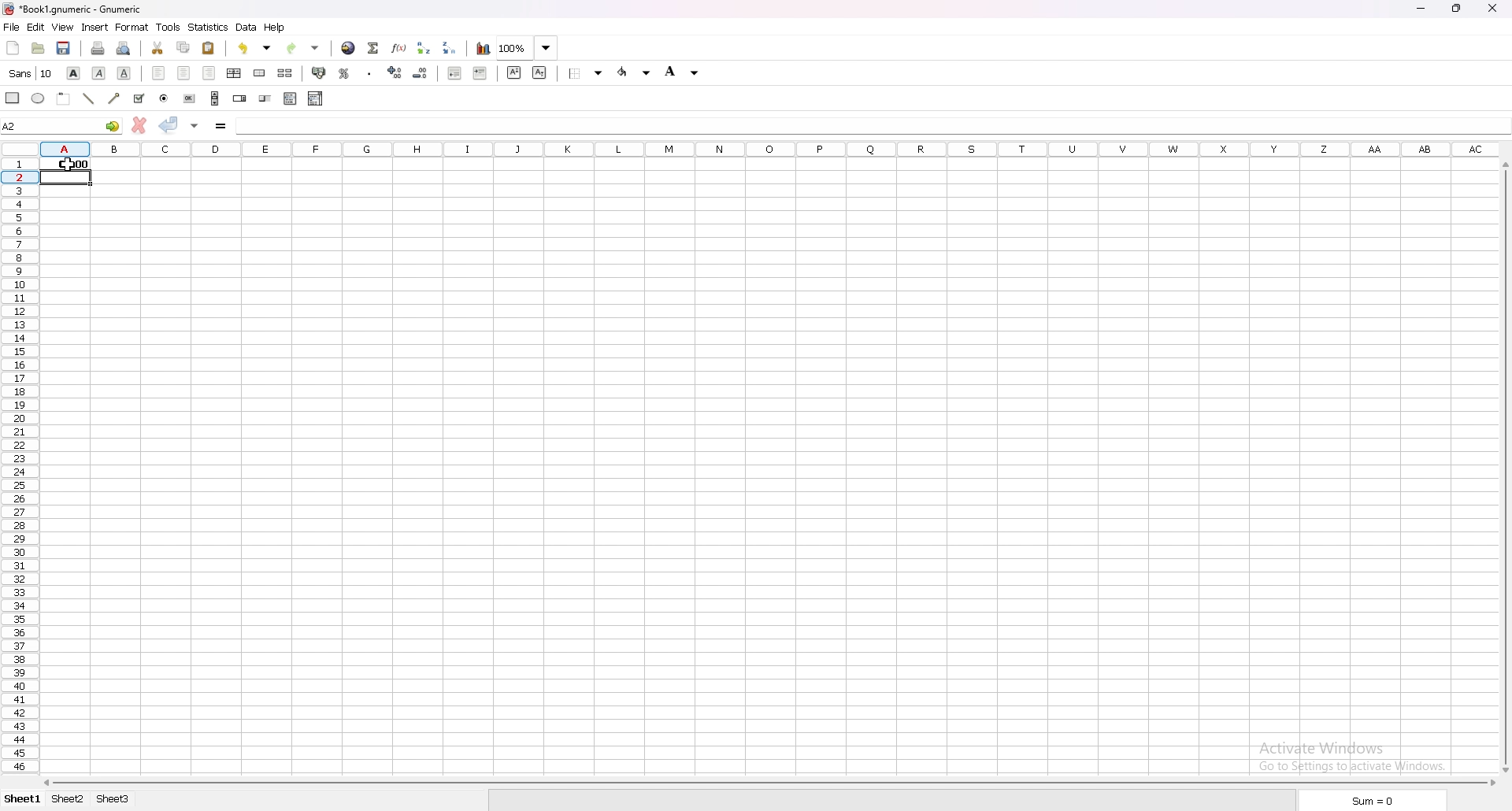 The width and height of the screenshot is (1512, 811). What do you see at coordinates (39, 98) in the screenshot?
I see `ellipse` at bounding box center [39, 98].